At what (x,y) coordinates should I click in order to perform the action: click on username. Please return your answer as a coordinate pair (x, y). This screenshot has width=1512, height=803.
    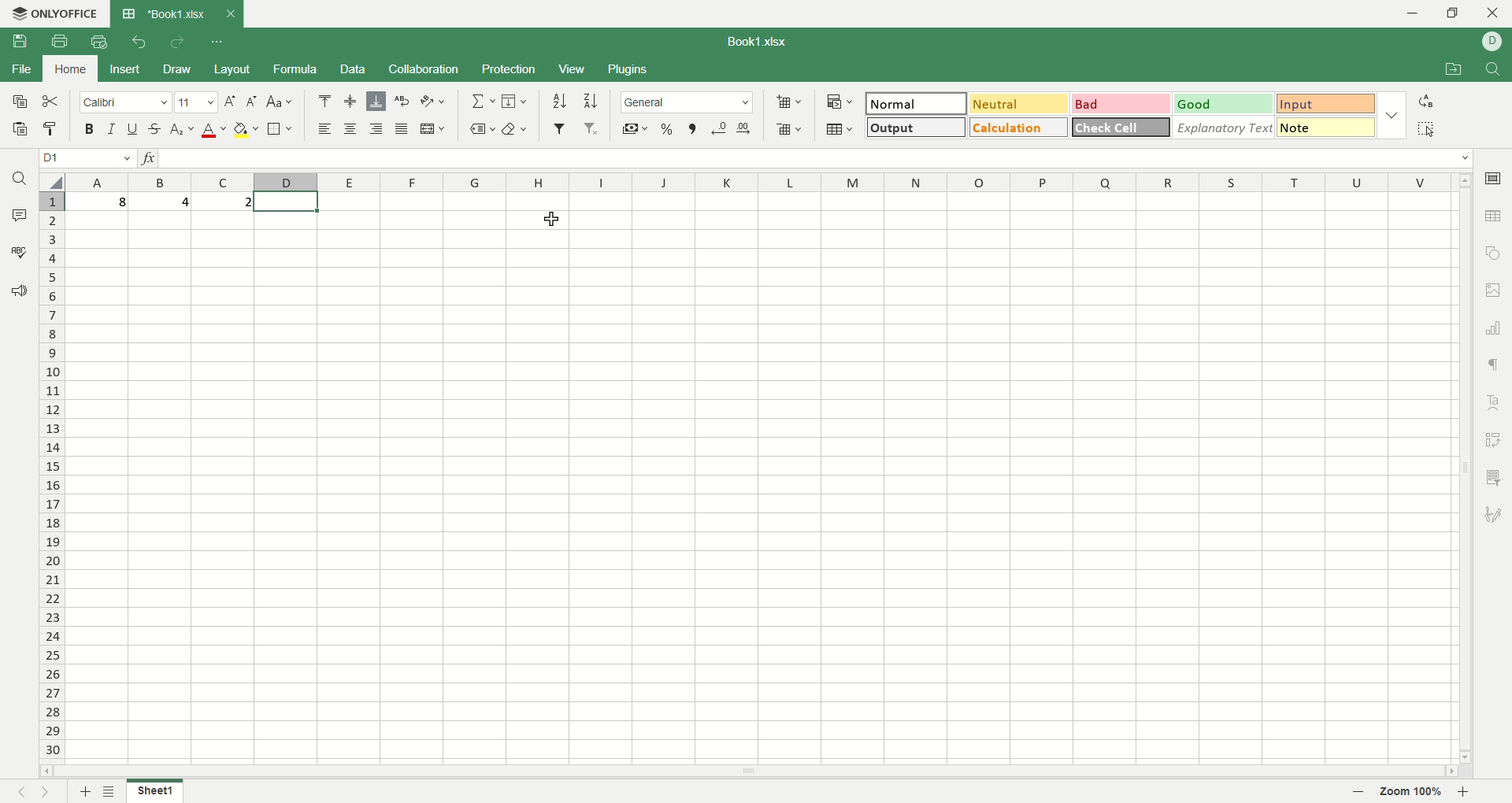
    Looking at the image, I should click on (1492, 42).